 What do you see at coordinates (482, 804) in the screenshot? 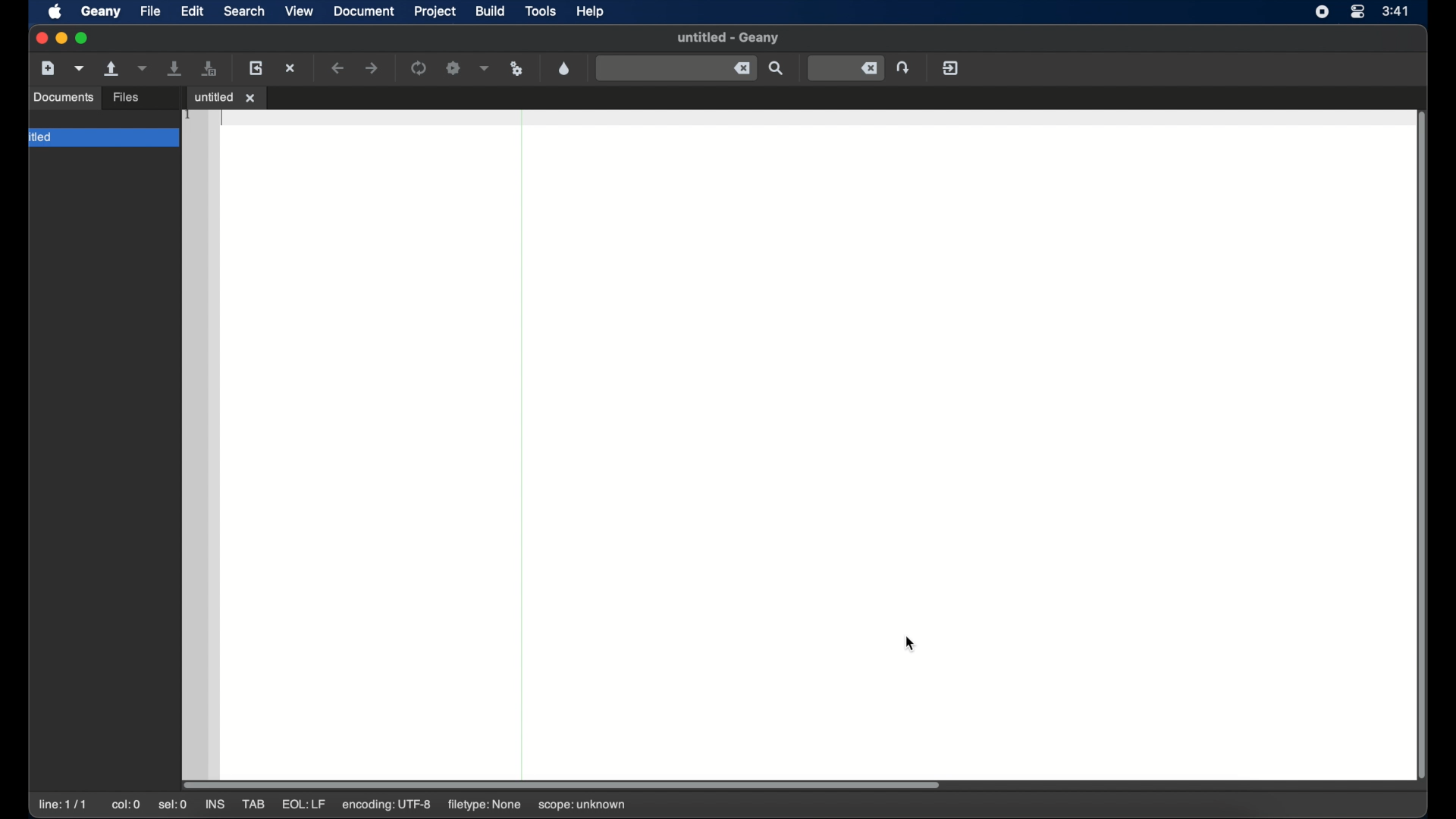
I see `filetype: none` at bounding box center [482, 804].